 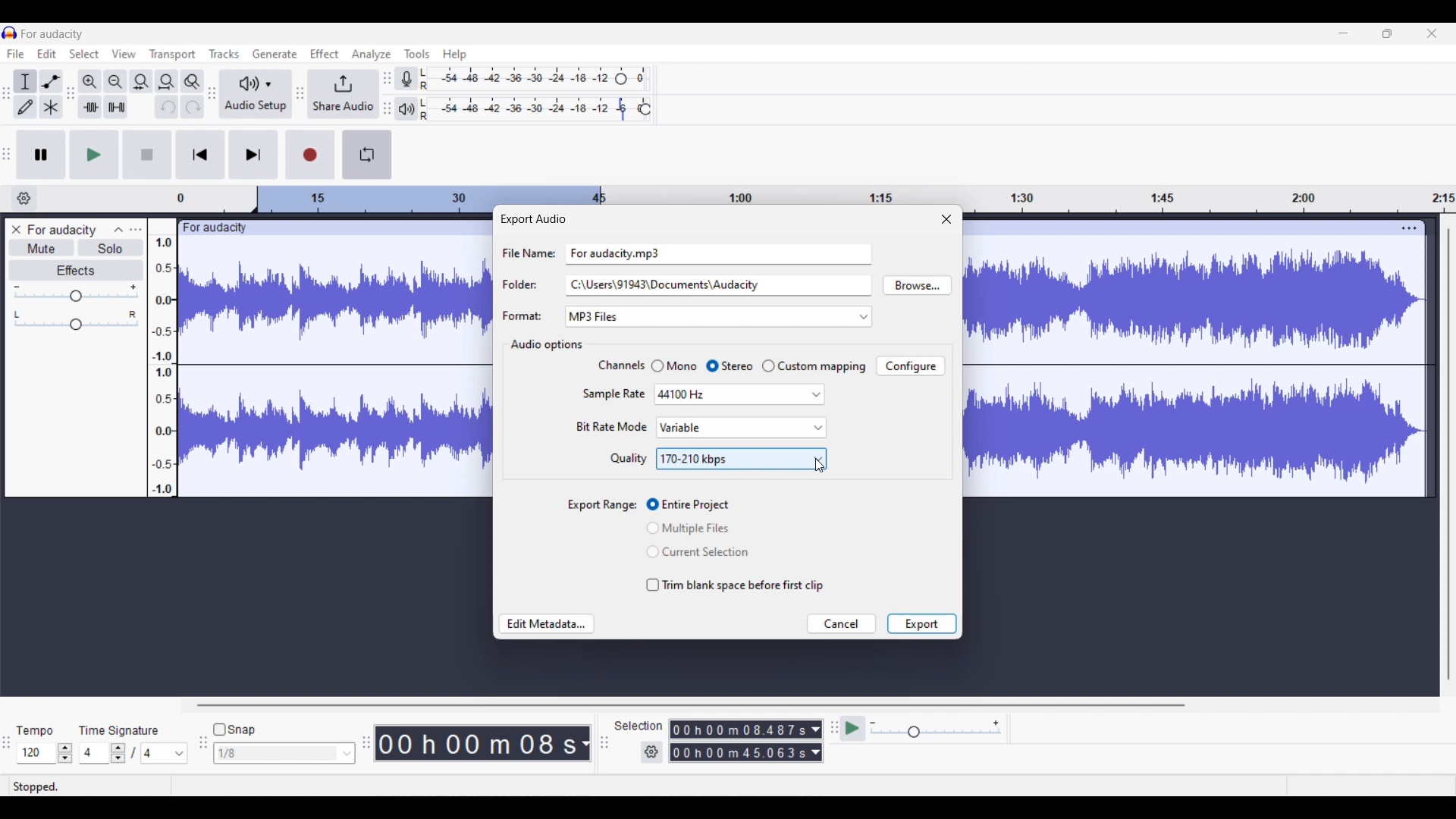 I want to click on Selection duration, so click(x=739, y=730).